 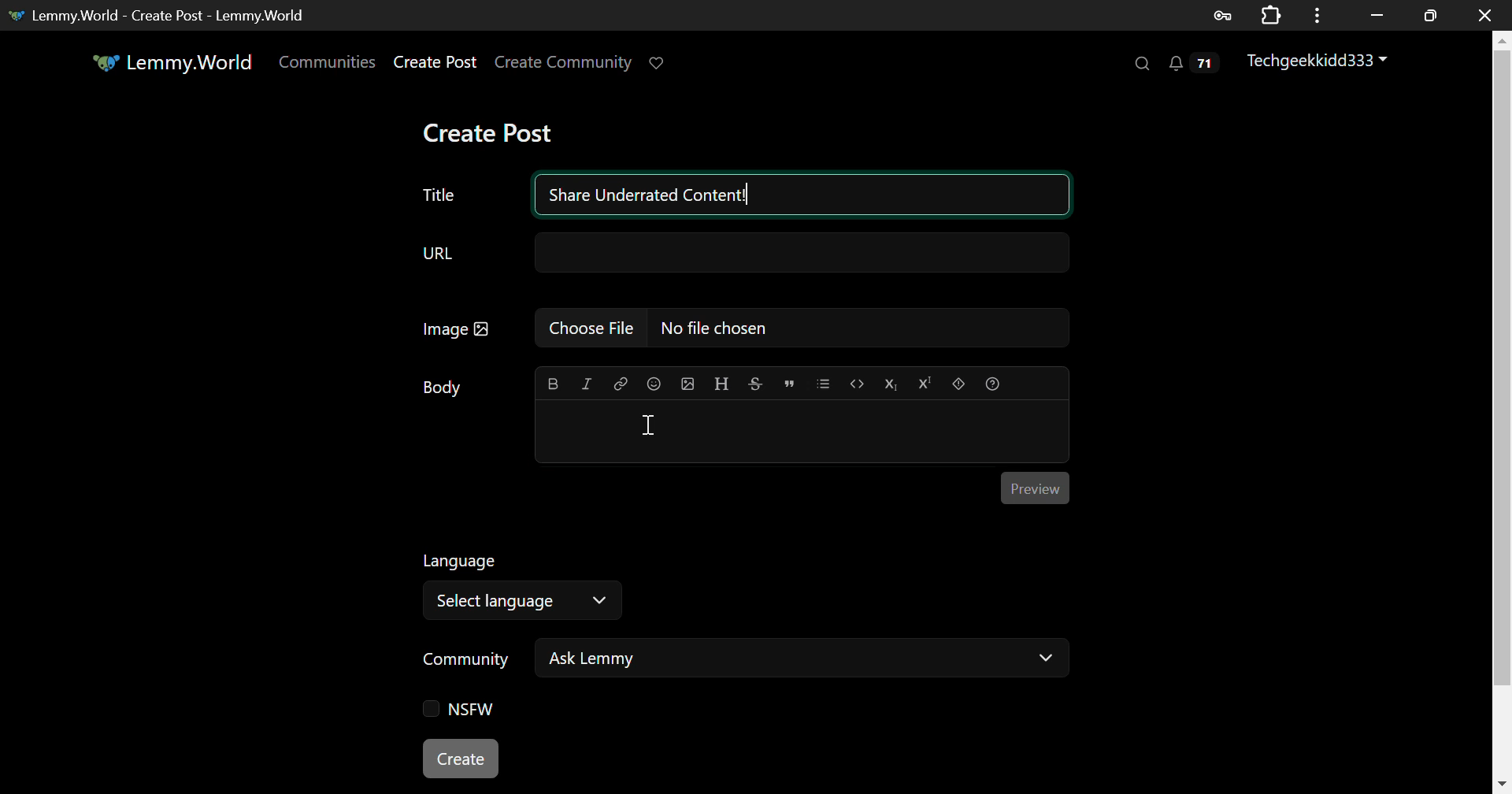 What do you see at coordinates (1140, 62) in the screenshot?
I see `Search` at bounding box center [1140, 62].